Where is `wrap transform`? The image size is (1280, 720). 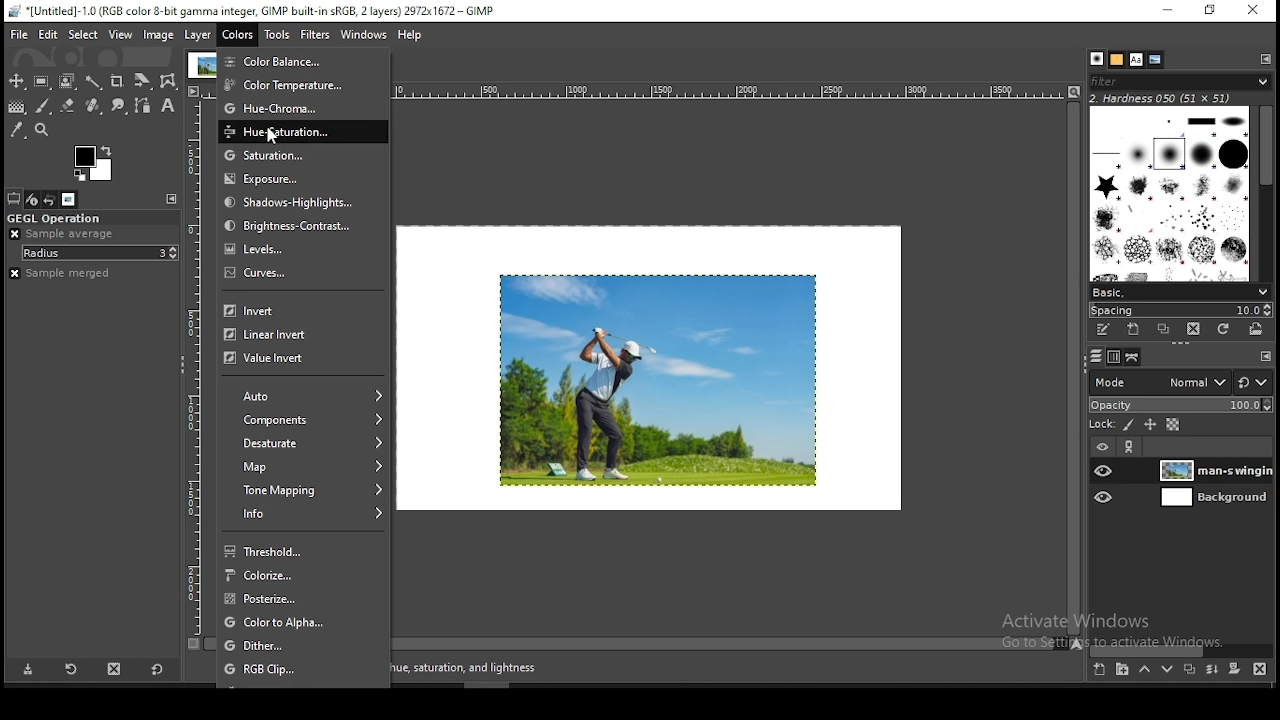 wrap transform is located at coordinates (168, 82).